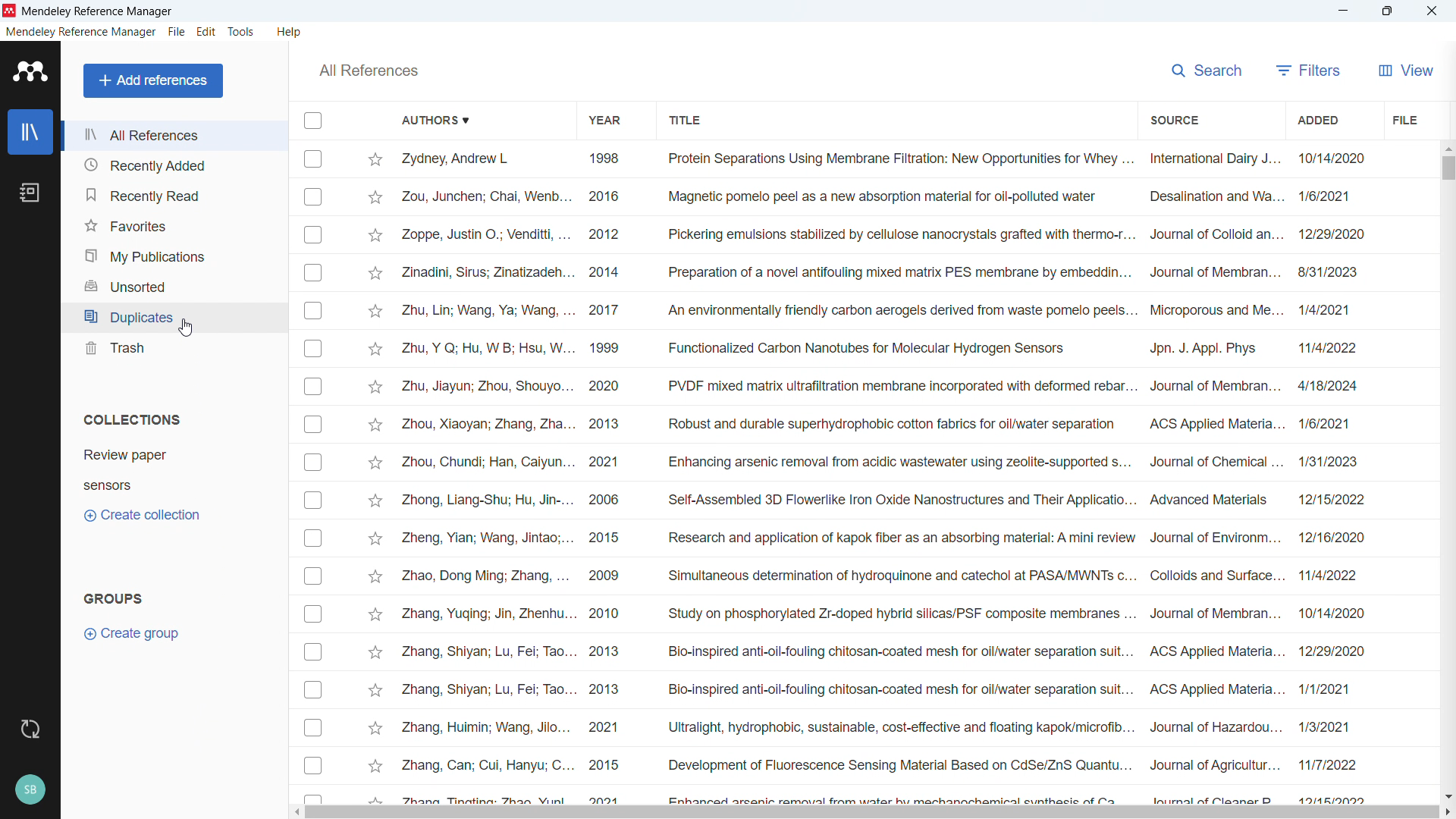 This screenshot has width=1456, height=819. I want to click on tools, so click(241, 32).